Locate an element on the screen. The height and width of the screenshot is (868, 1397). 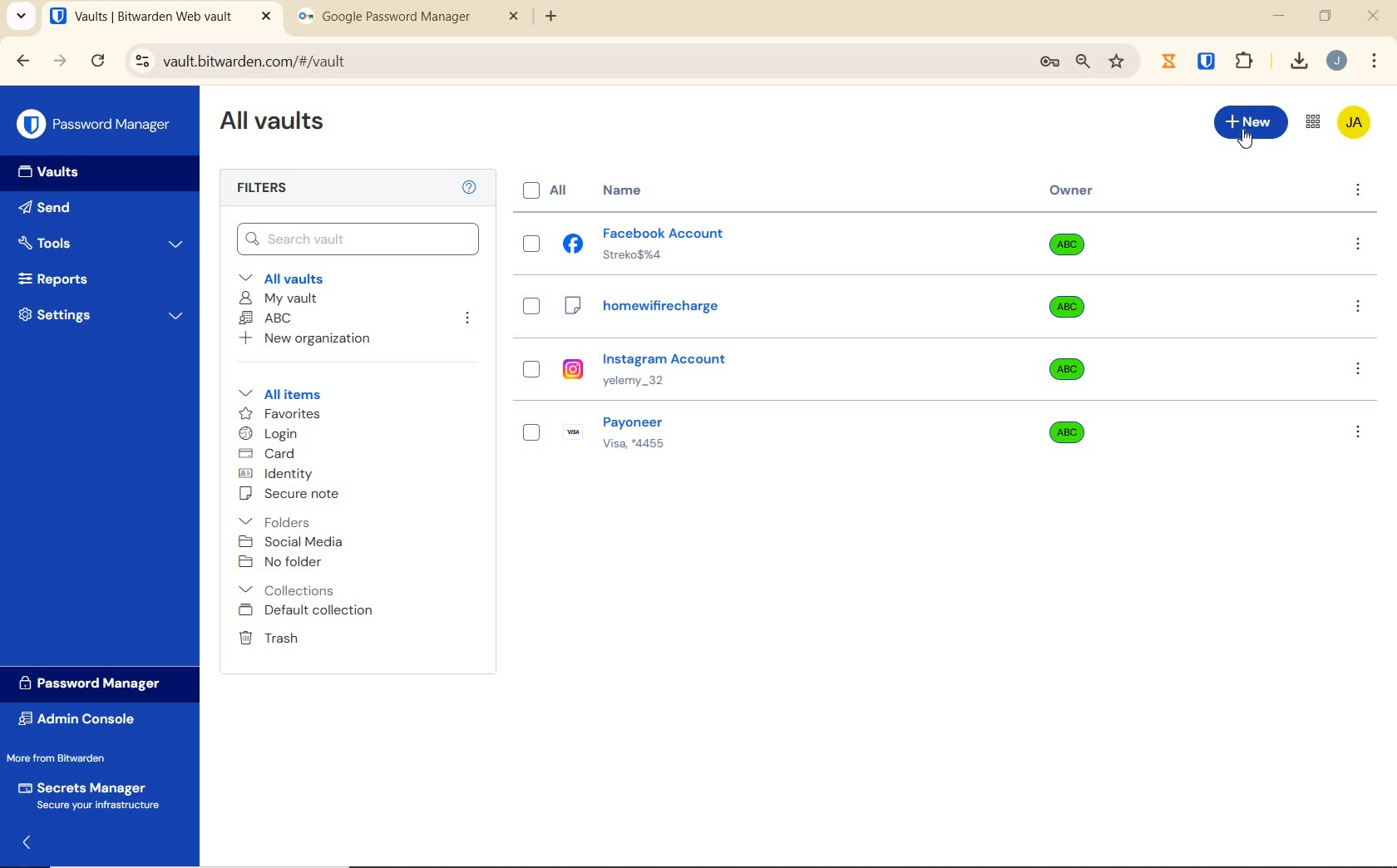
search tabs is located at coordinates (21, 18).